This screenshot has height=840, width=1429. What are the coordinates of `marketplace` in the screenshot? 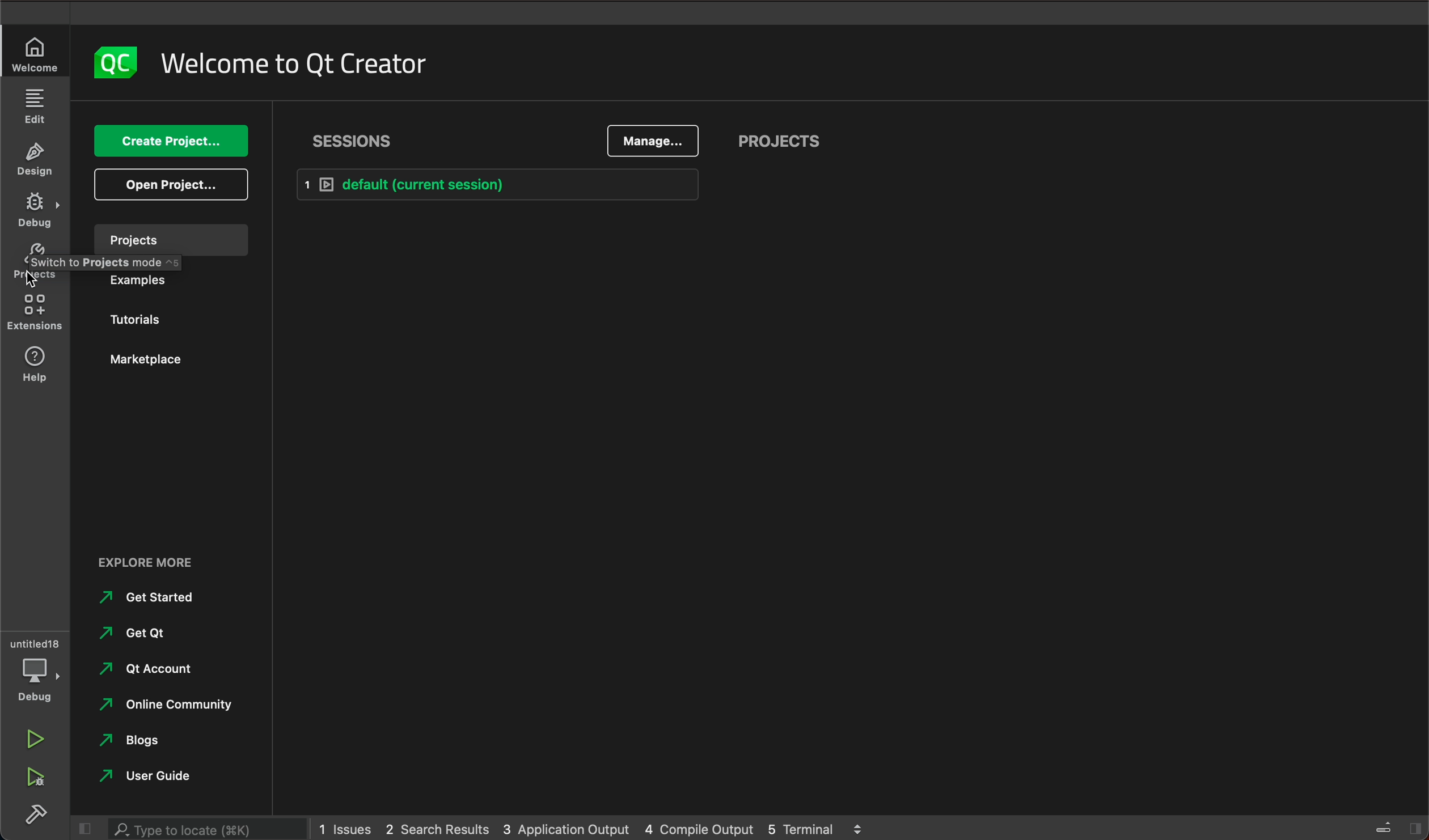 It's located at (146, 360).